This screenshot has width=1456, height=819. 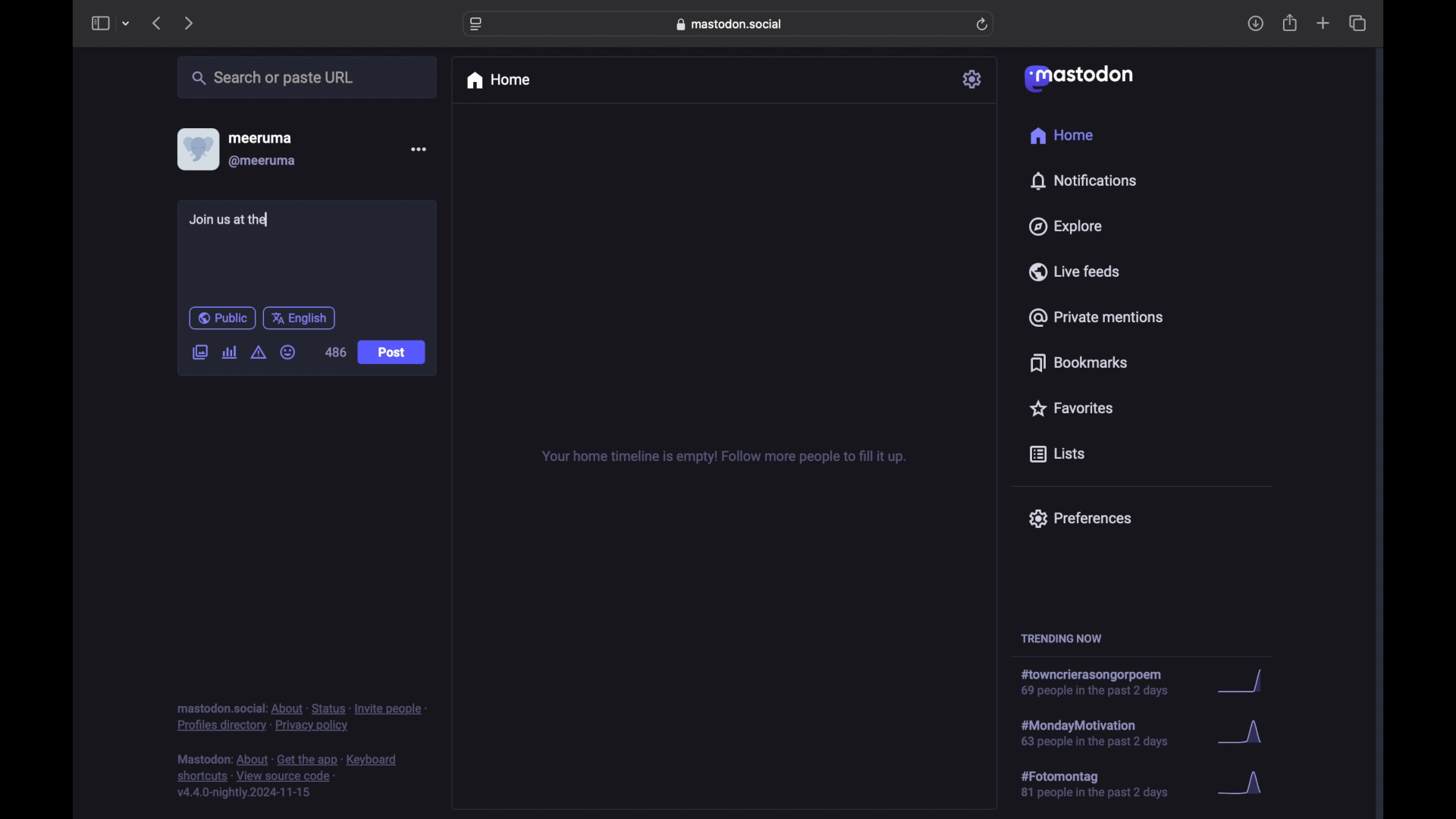 What do you see at coordinates (156, 23) in the screenshot?
I see `previous` at bounding box center [156, 23].